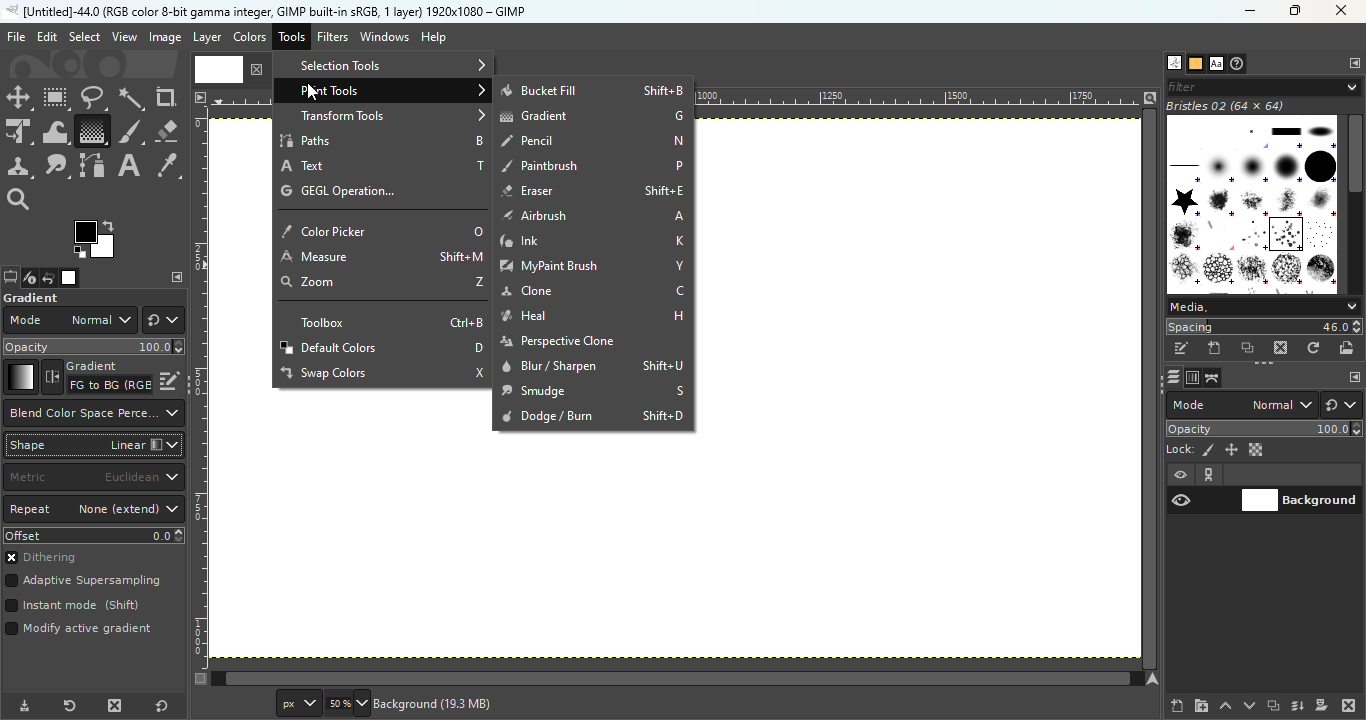 The width and height of the screenshot is (1366, 720). I want to click on Save tool preset, so click(22, 707).